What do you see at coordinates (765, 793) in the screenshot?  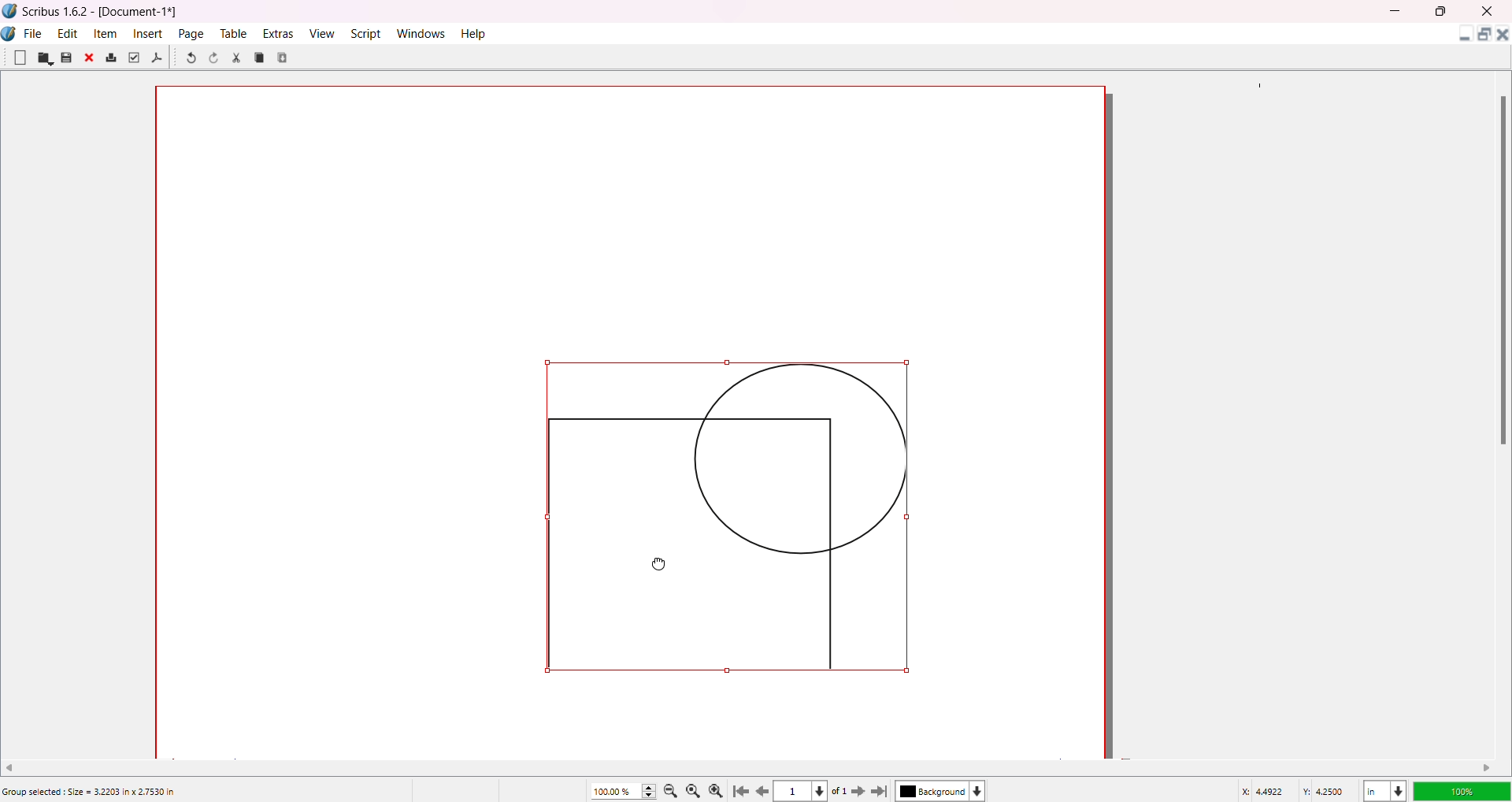 I see `previous` at bounding box center [765, 793].